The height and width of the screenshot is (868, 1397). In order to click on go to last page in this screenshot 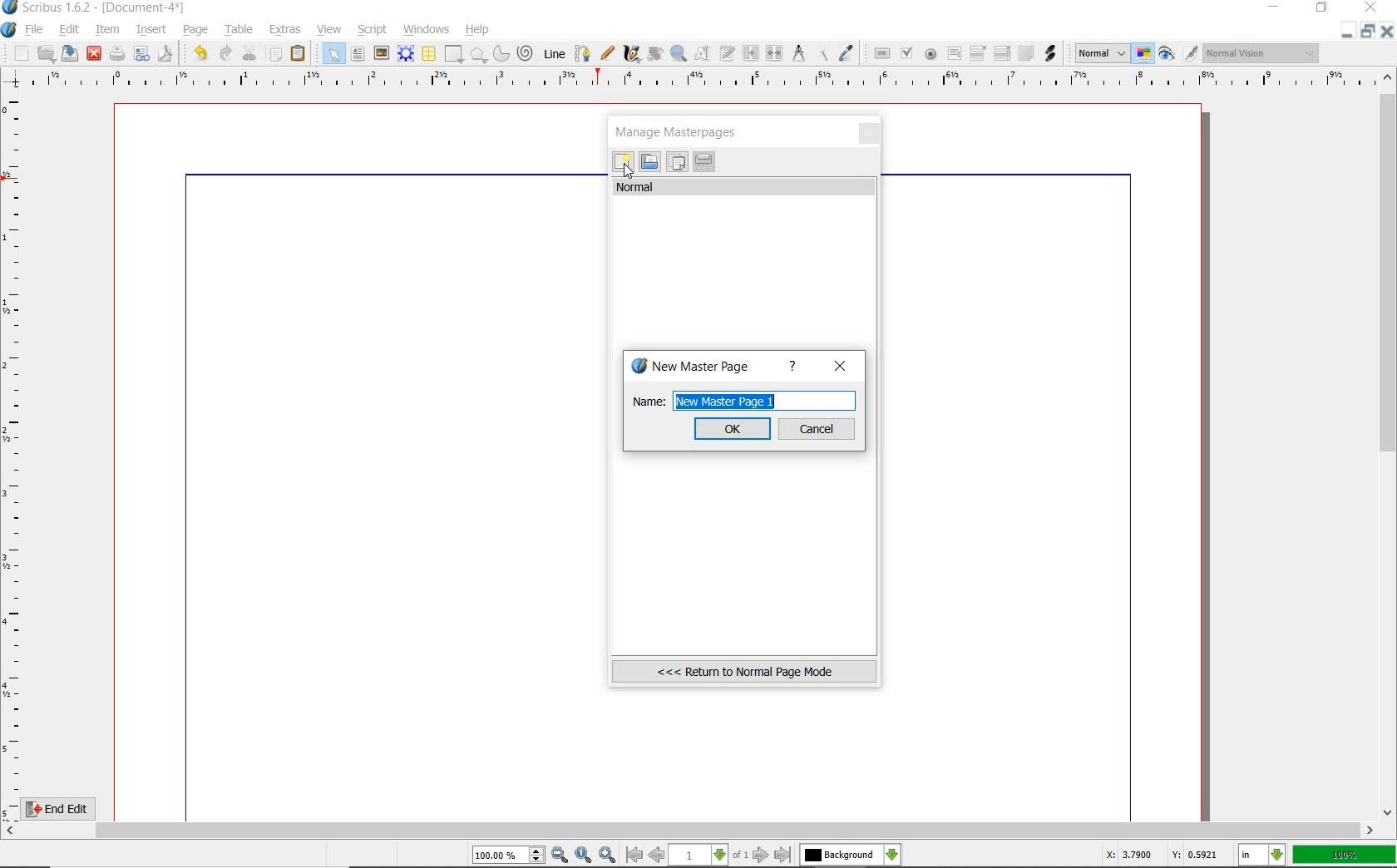, I will do `click(783, 855)`.